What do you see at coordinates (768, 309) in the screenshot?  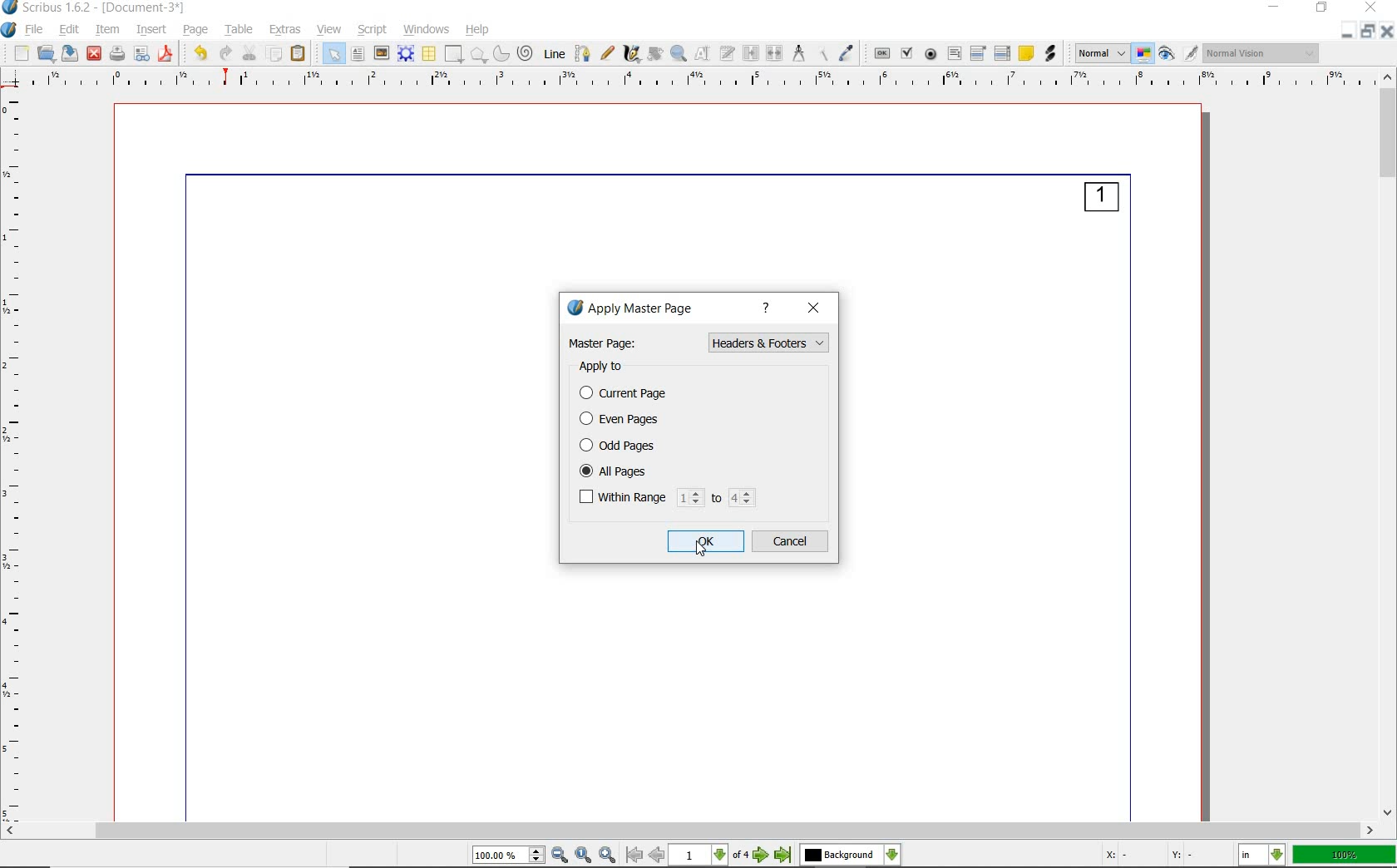 I see `help` at bounding box center [768, 309].